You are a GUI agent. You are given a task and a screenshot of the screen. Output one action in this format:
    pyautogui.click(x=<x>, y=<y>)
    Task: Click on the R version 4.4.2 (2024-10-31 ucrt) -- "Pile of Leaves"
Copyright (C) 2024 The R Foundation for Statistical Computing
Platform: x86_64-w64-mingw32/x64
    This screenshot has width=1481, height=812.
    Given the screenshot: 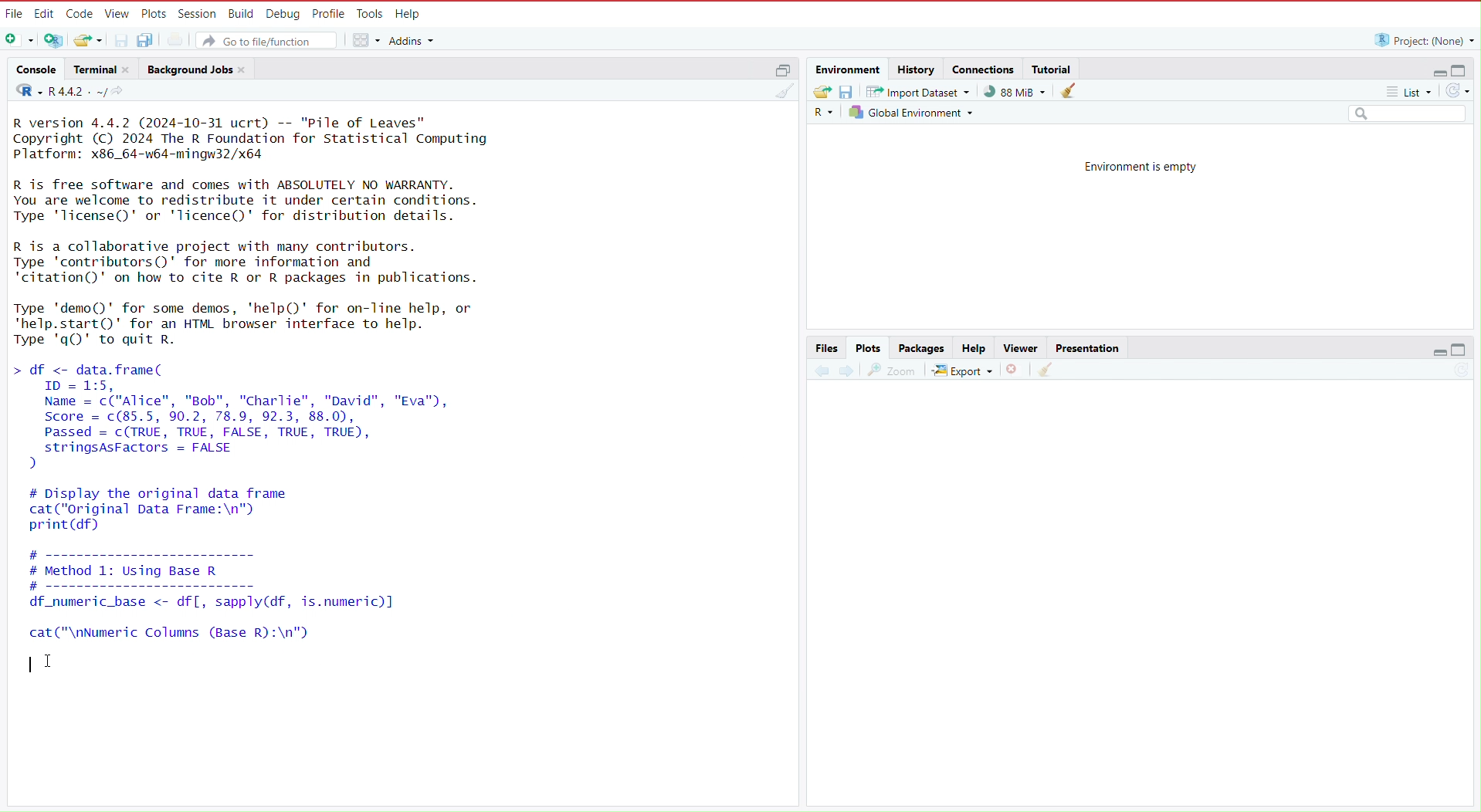 What is the action you would take?
    pyautogui.click(x=259, y=137)
    